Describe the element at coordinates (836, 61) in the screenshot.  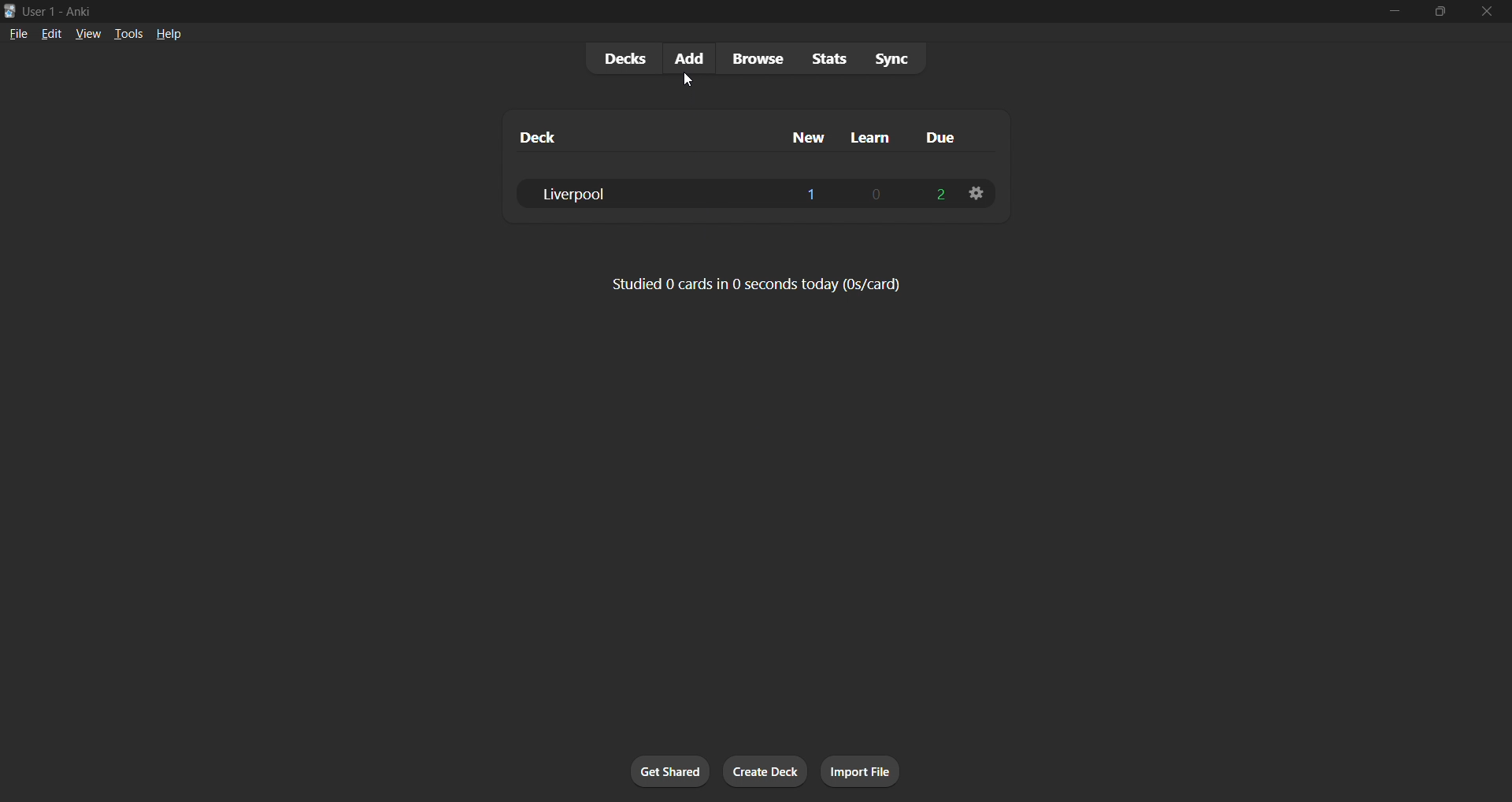
I see `stats` at that location.